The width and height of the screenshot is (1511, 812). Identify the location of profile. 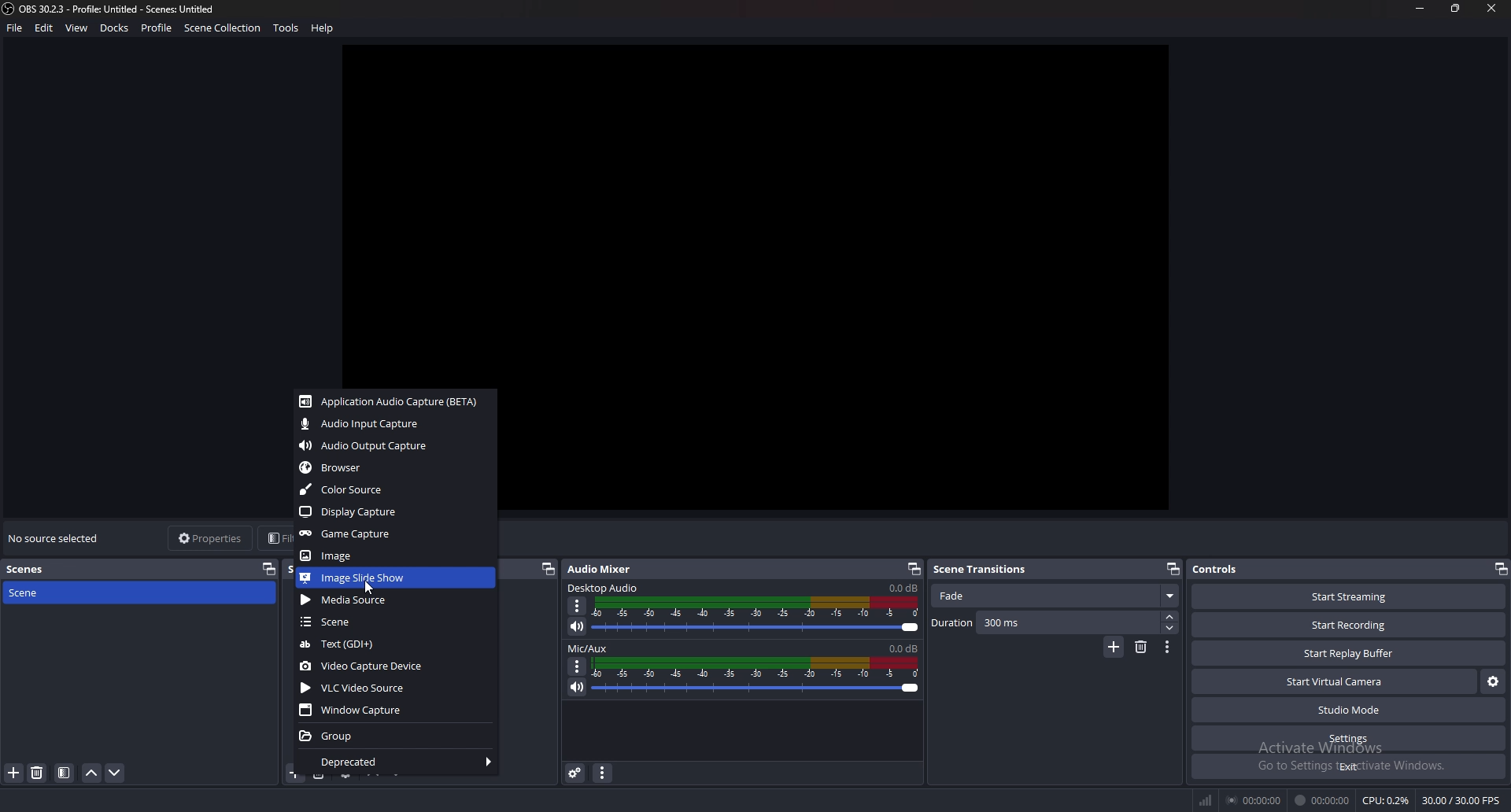
(156, 26).